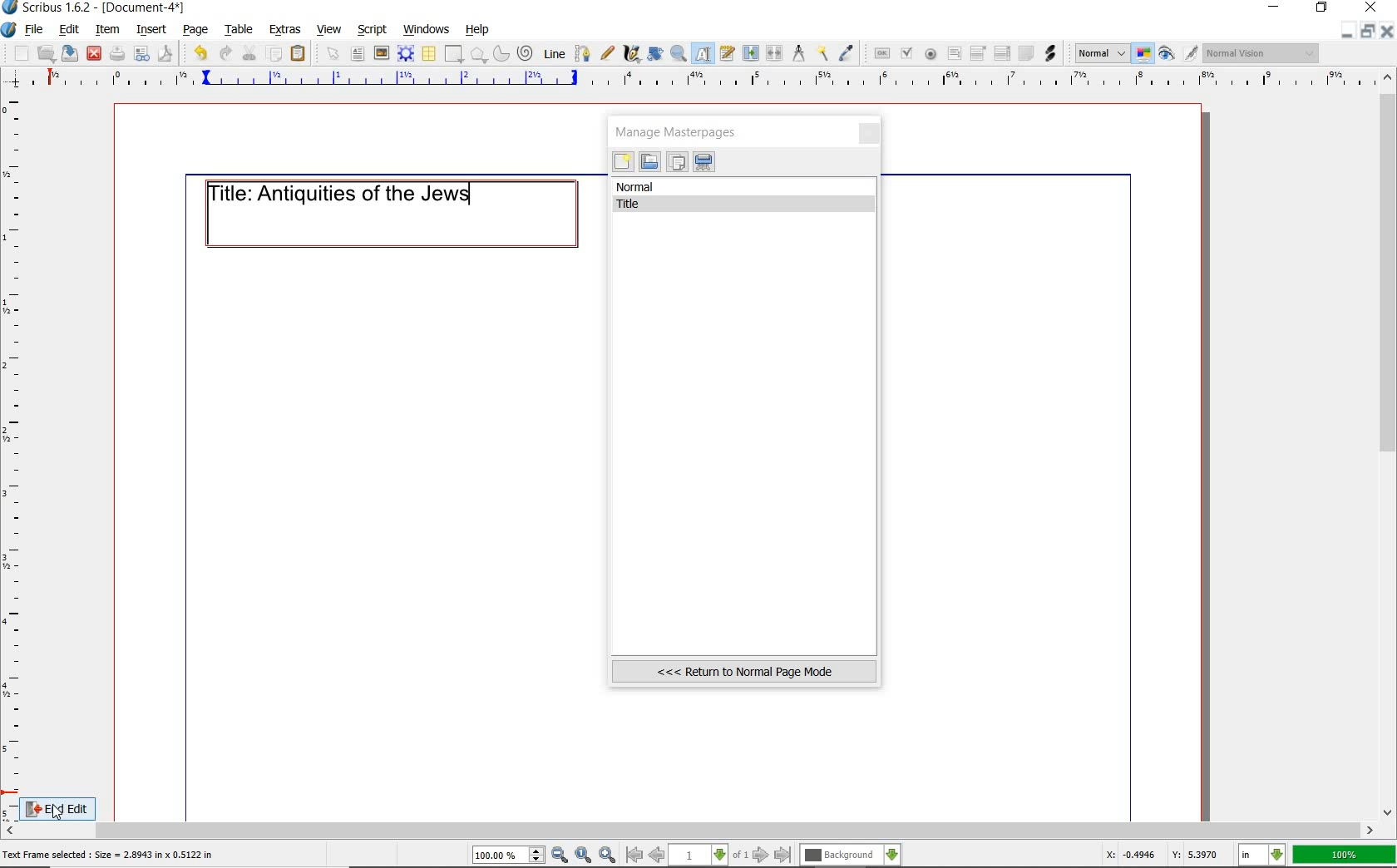 This screenshot has width=1397, height=868. What do you see at coordinates (164, 53) in the screenshot?
I see `save as pdf` at bounding box center [164, 53].